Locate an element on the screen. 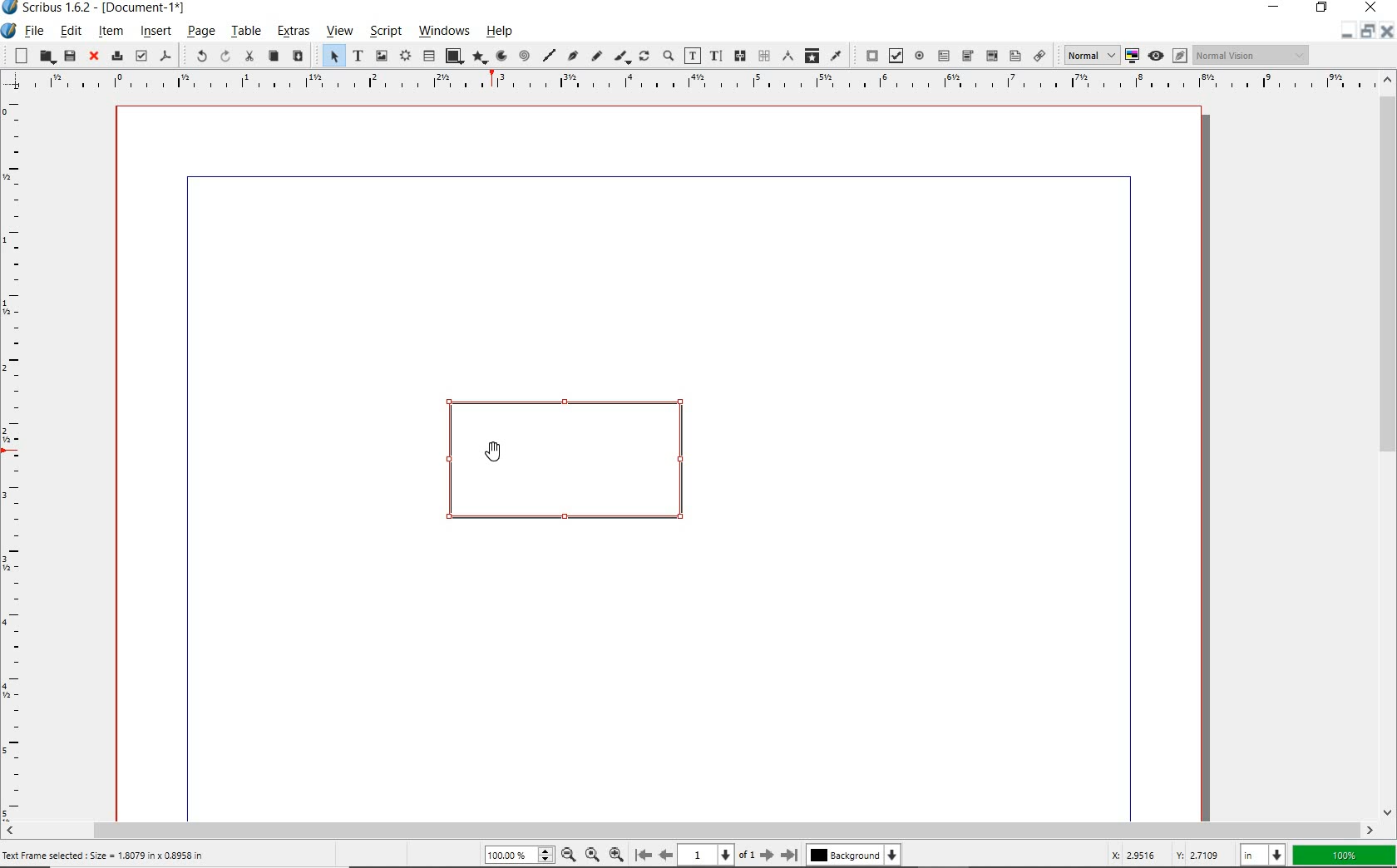 This screenshot has width=1397, height=868. pdf radio button is located at coordinates (920, 56).